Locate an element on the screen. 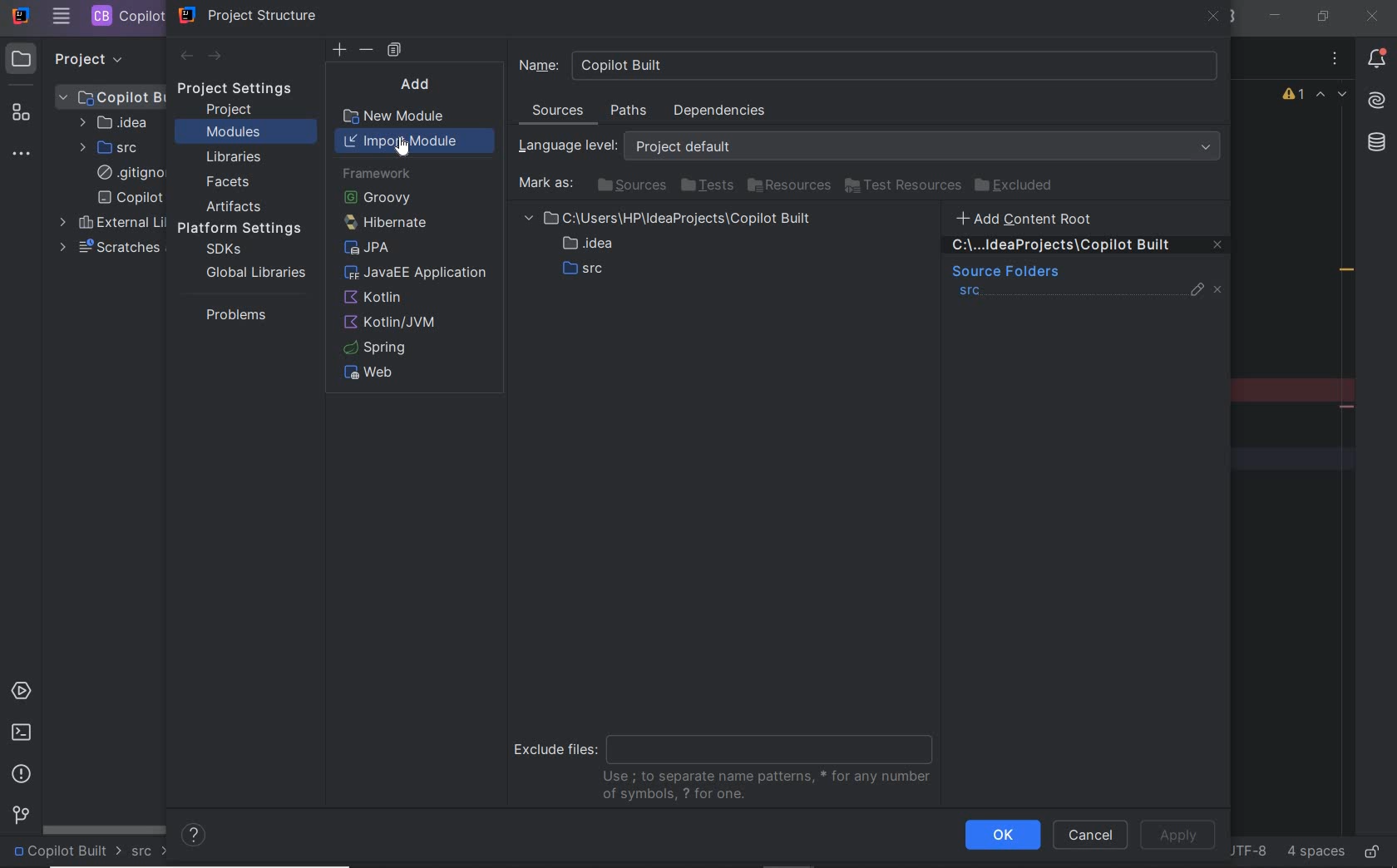  database is located at coordinates (1375, 145).